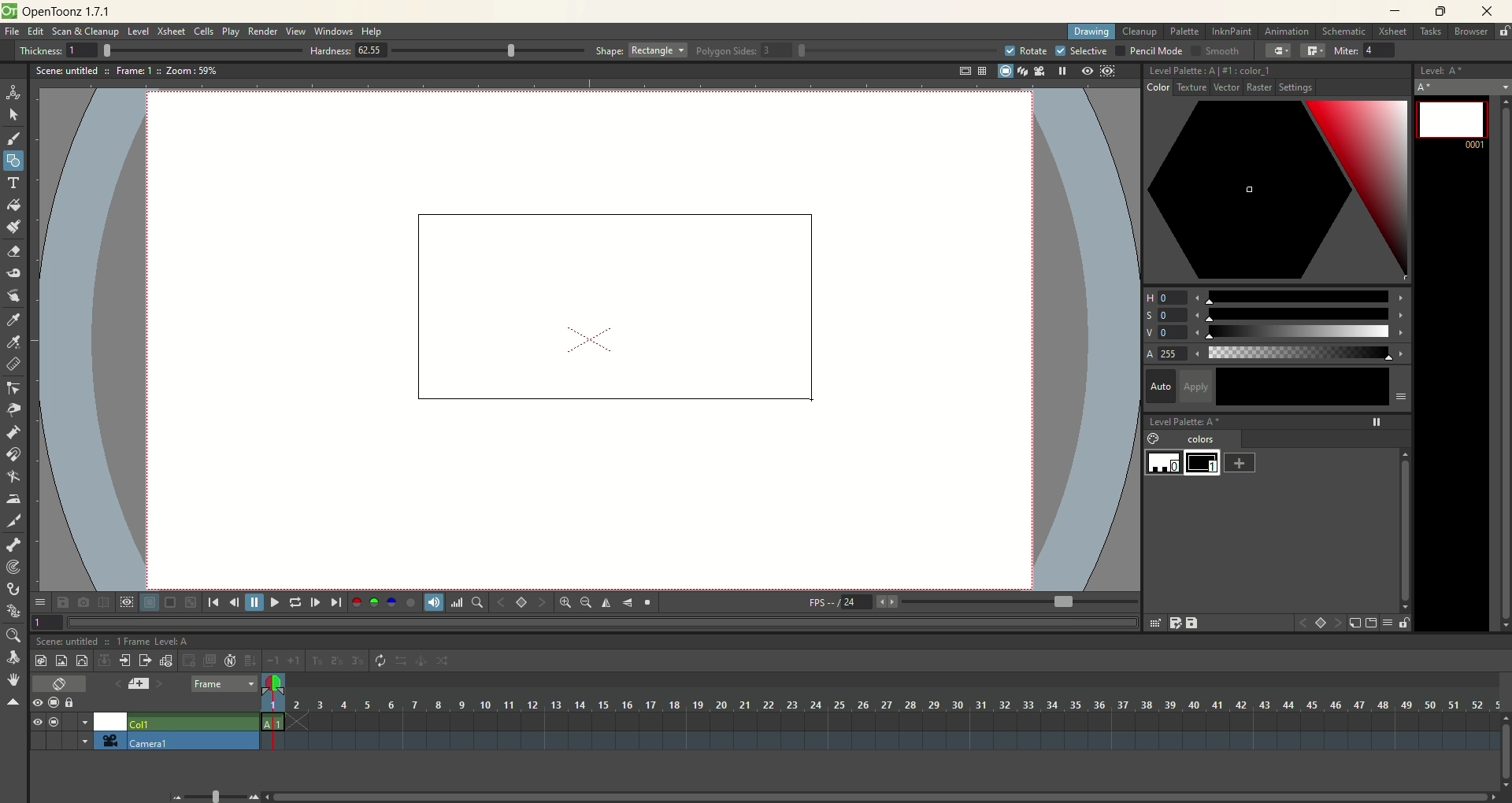  Describe the element at coordinates (12, 543) in the screenshot. I see `skeleton` at that location.